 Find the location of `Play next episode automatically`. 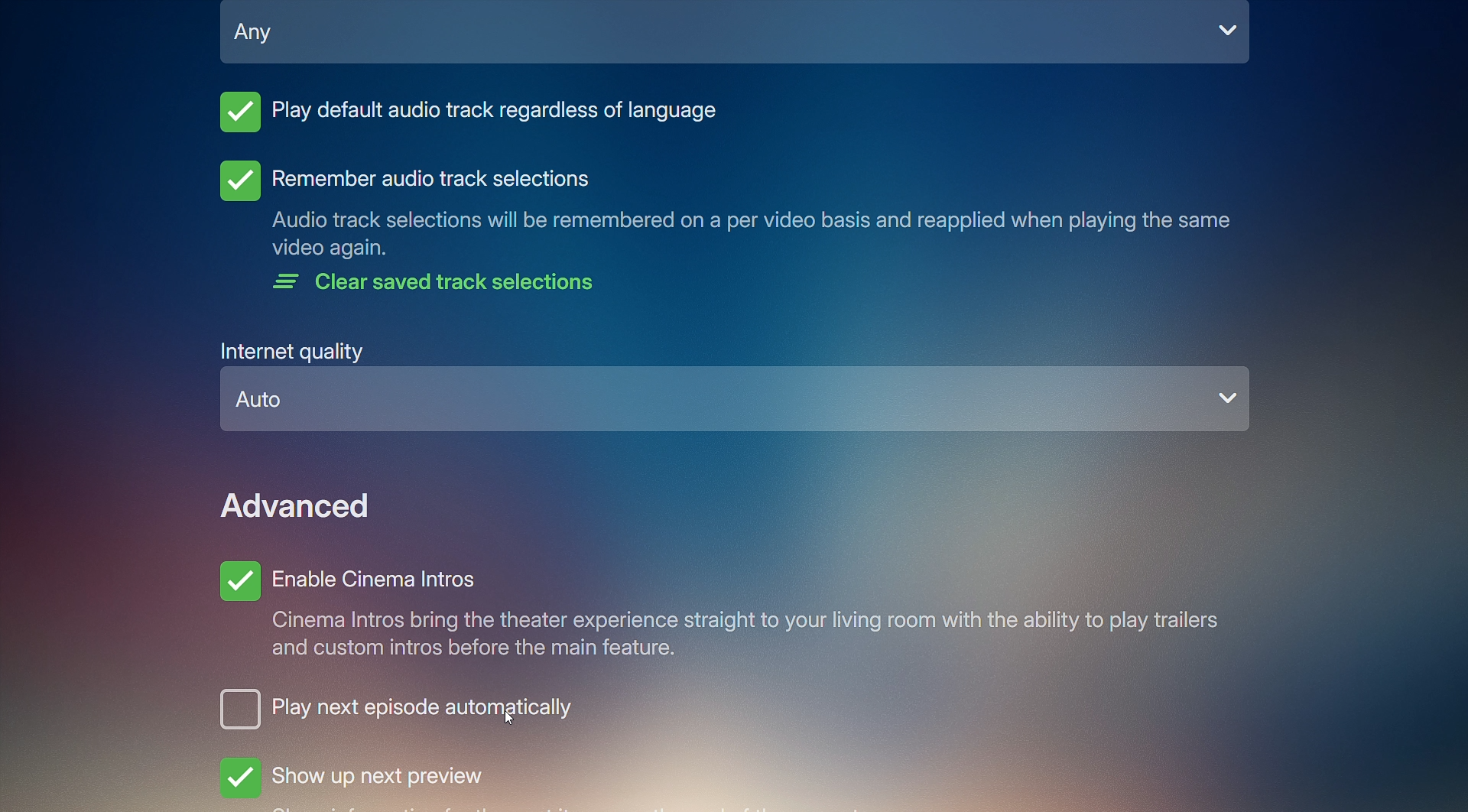

Play next episode automatically is located at coordinates (345, 713).